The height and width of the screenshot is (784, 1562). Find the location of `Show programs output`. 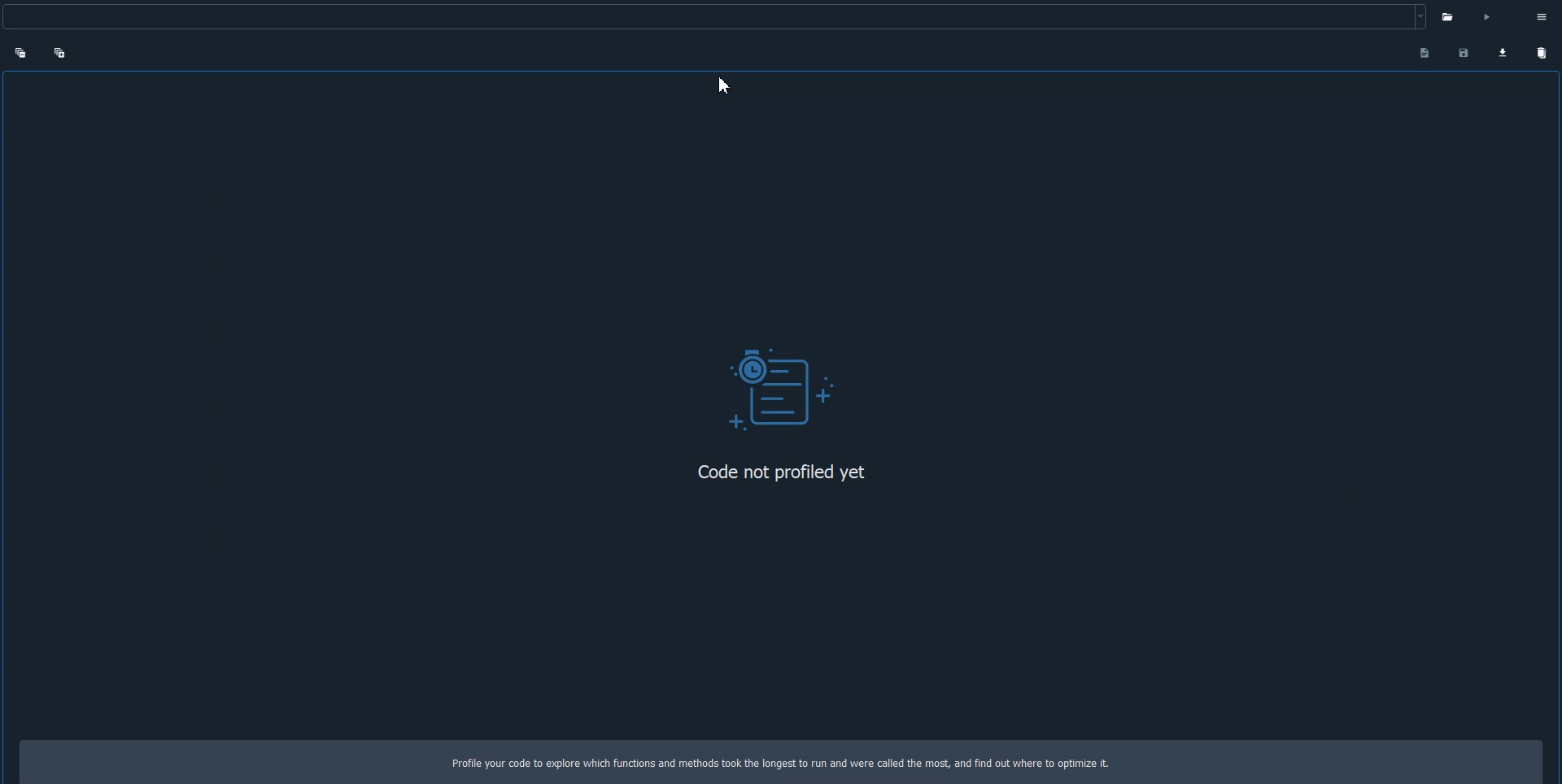

Show programs output is located at coordinates (1421, 54).